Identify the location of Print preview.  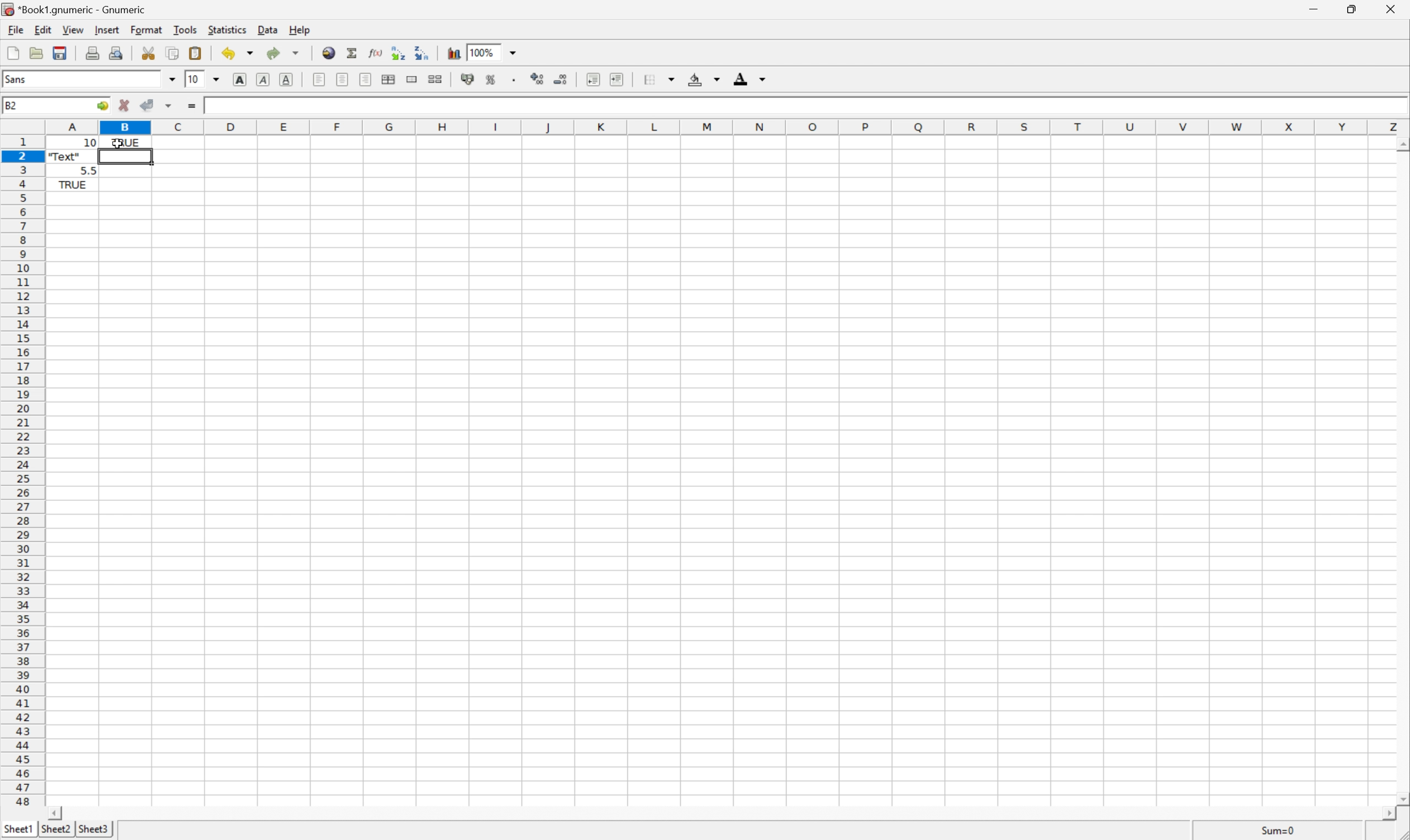
(117, 52).